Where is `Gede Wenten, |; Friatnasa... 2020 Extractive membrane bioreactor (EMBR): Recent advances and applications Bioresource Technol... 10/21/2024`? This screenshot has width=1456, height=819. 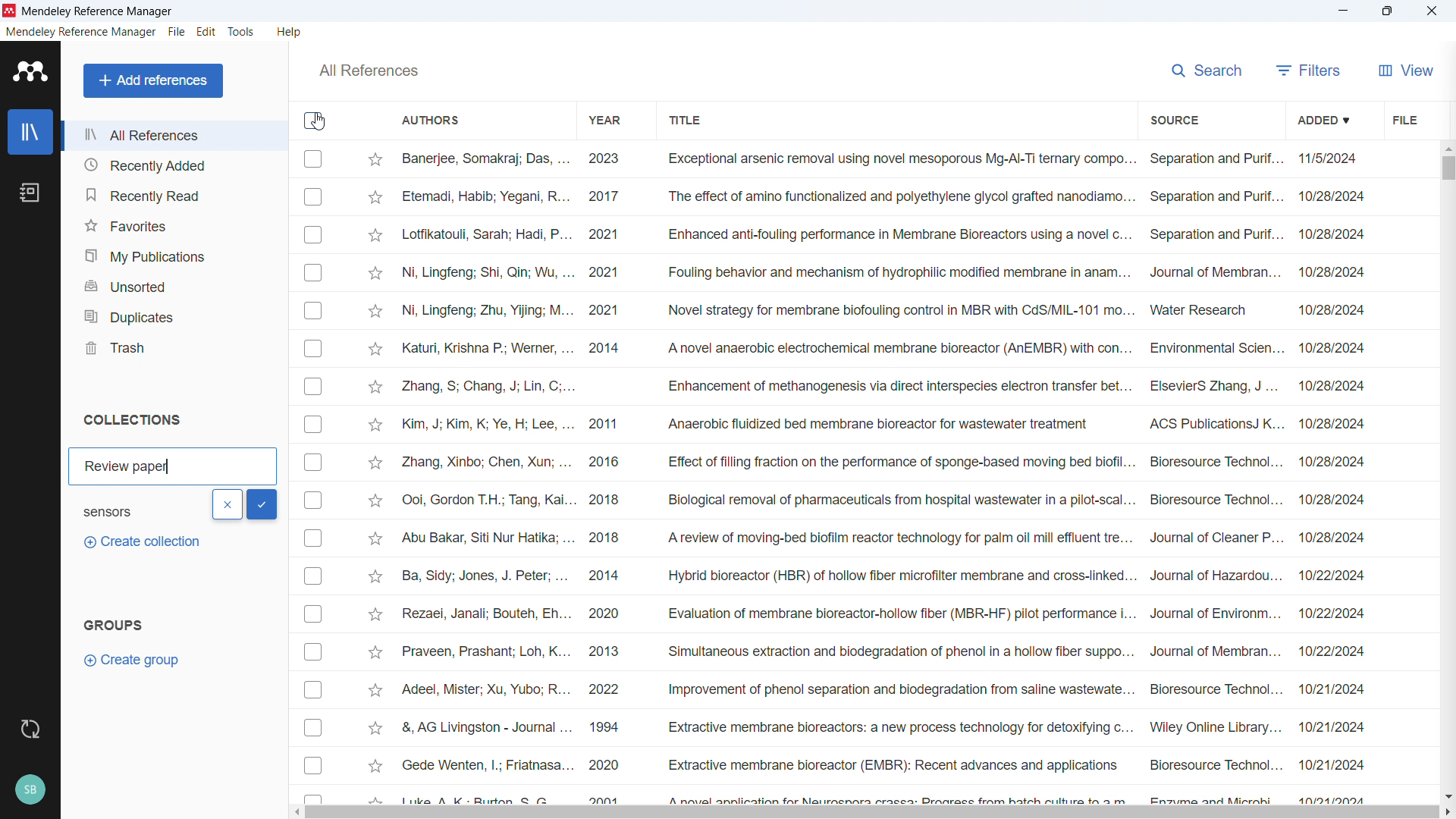
Gede Wenten, |; Friatnasa... 2020 Extractive membrane bioreactor (EMBR): Recent advances and applications Bioresource Technol... 10/21/2024 is located at coordinates (883, 764).